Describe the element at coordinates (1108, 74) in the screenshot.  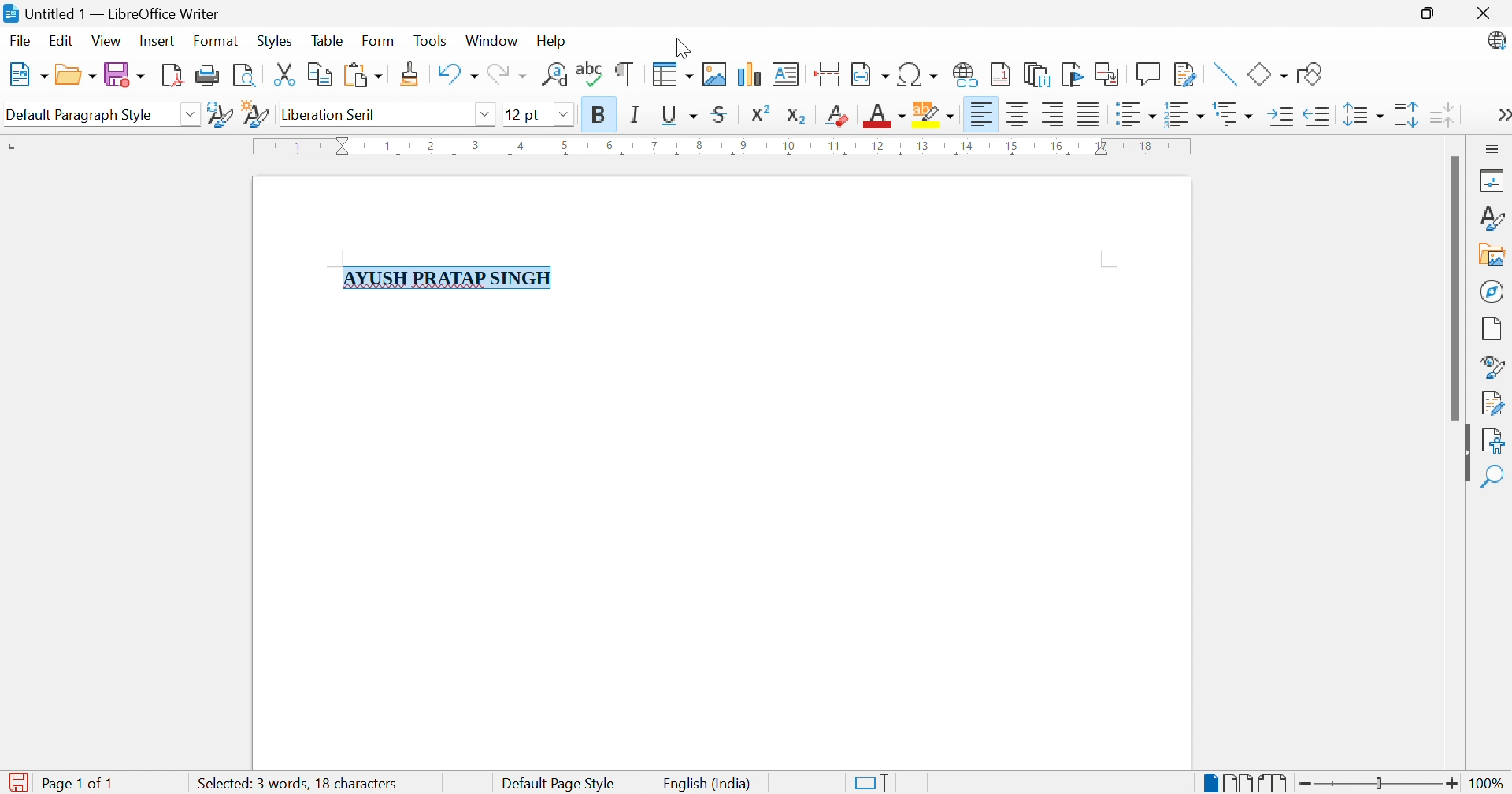
I see `Insert Cross-reference` at that location.